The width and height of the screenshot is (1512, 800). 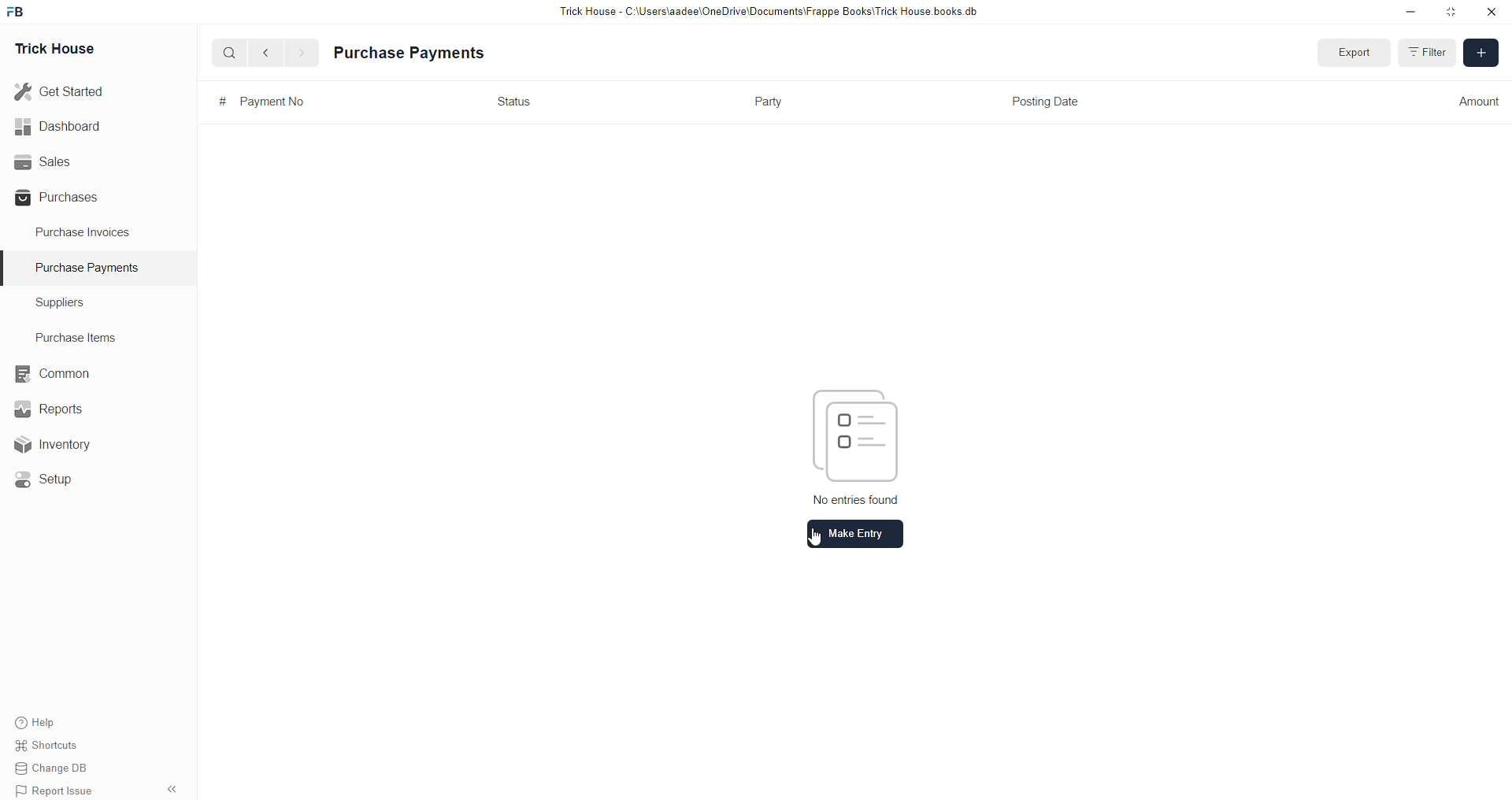 I want to click on Party, so click(x=769, y=105).